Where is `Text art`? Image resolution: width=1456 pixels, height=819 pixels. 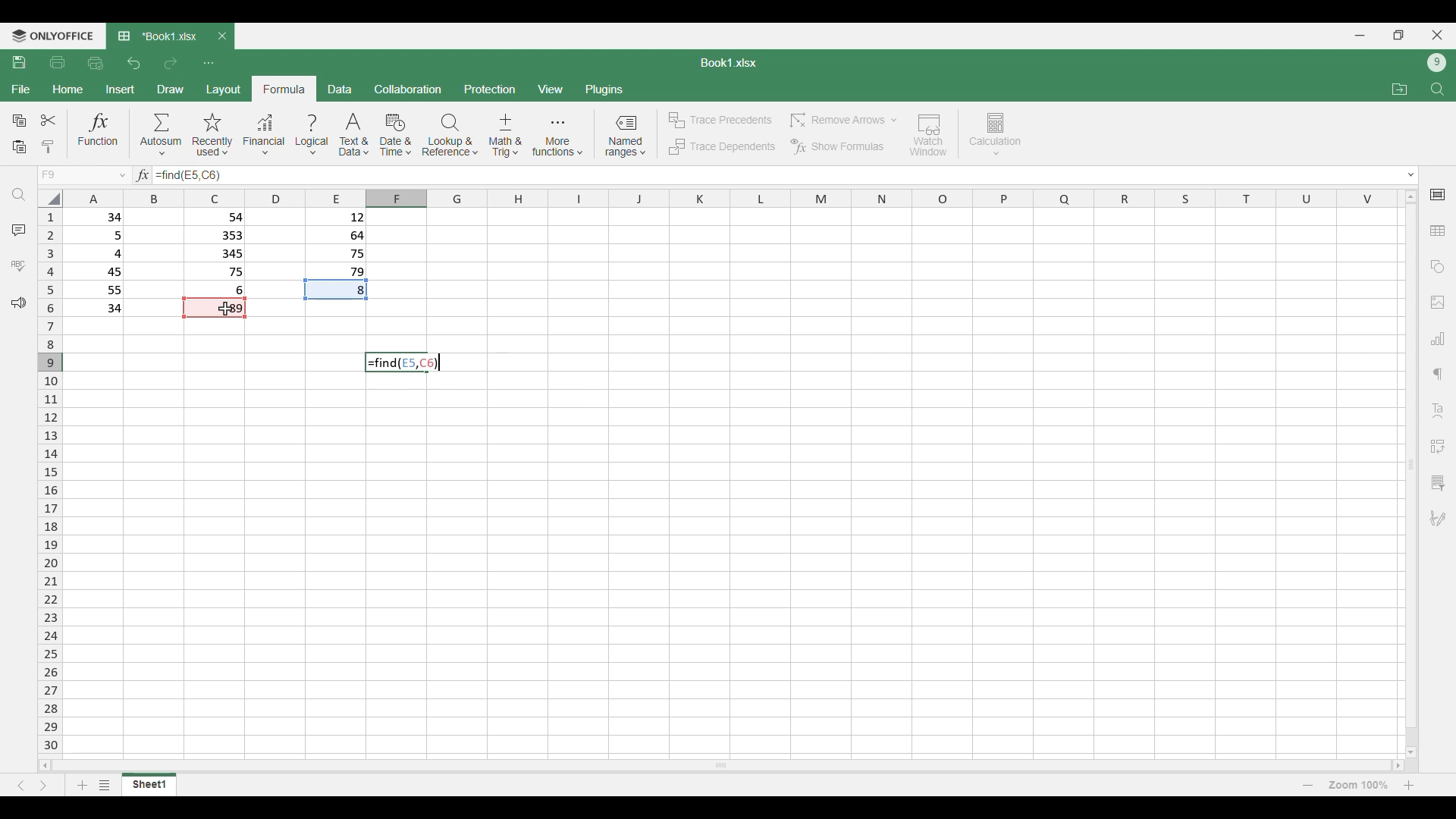
Text art is located at coordinates (1437, 411).